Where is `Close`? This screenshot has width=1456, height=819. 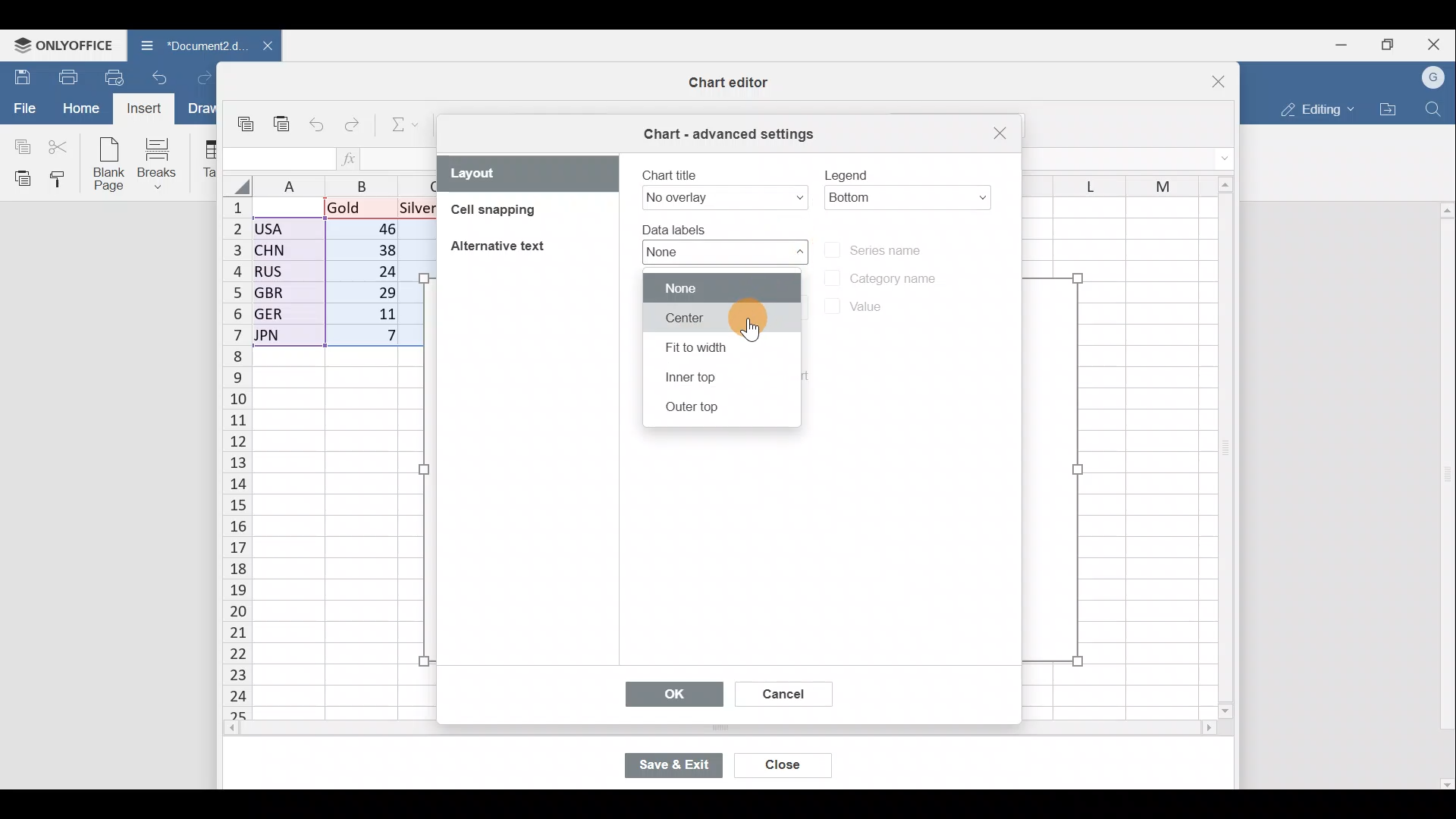
Close is located at coordinates (1438, 43).